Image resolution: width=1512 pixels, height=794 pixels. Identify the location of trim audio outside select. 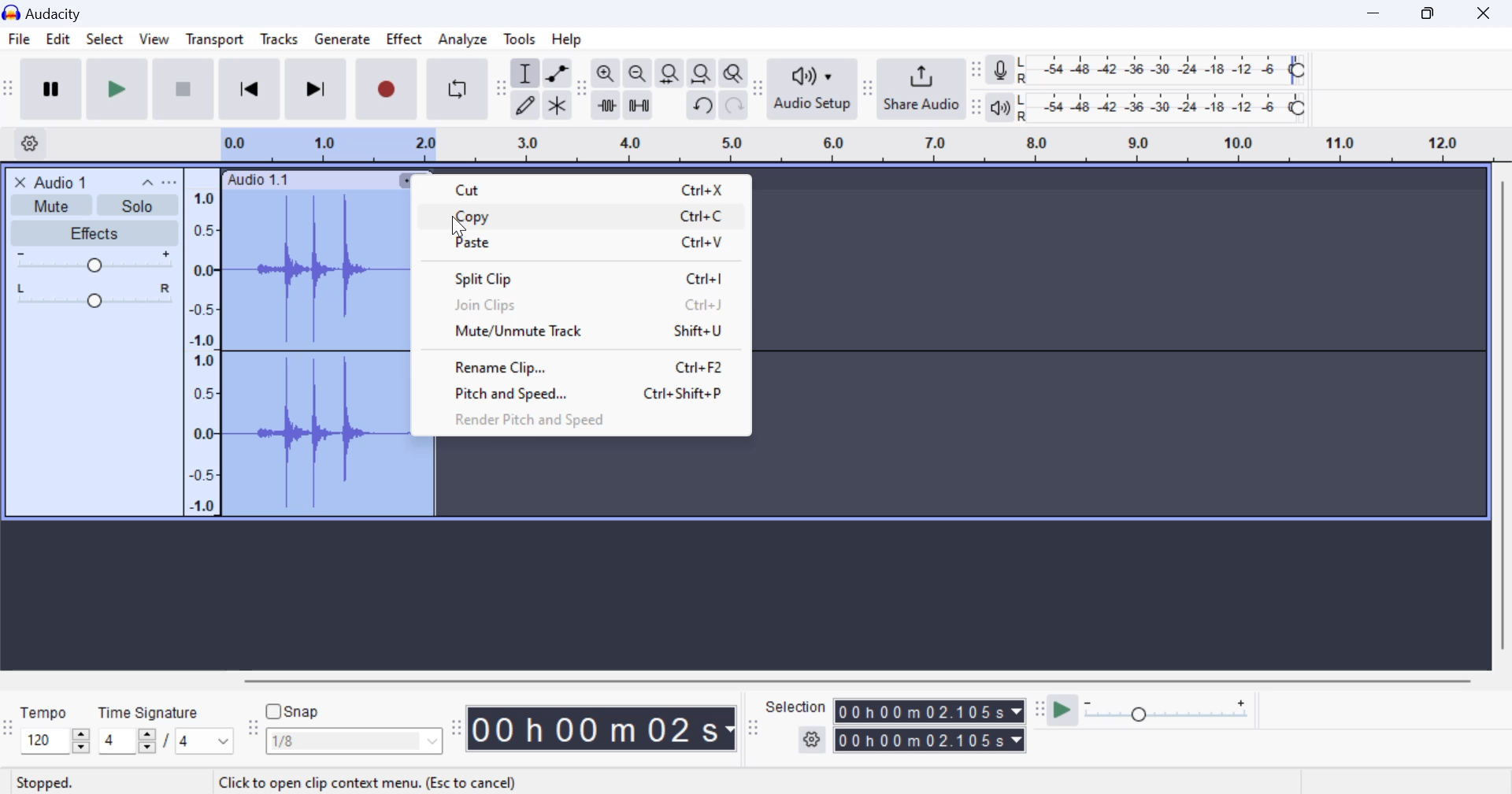
(607, 105).